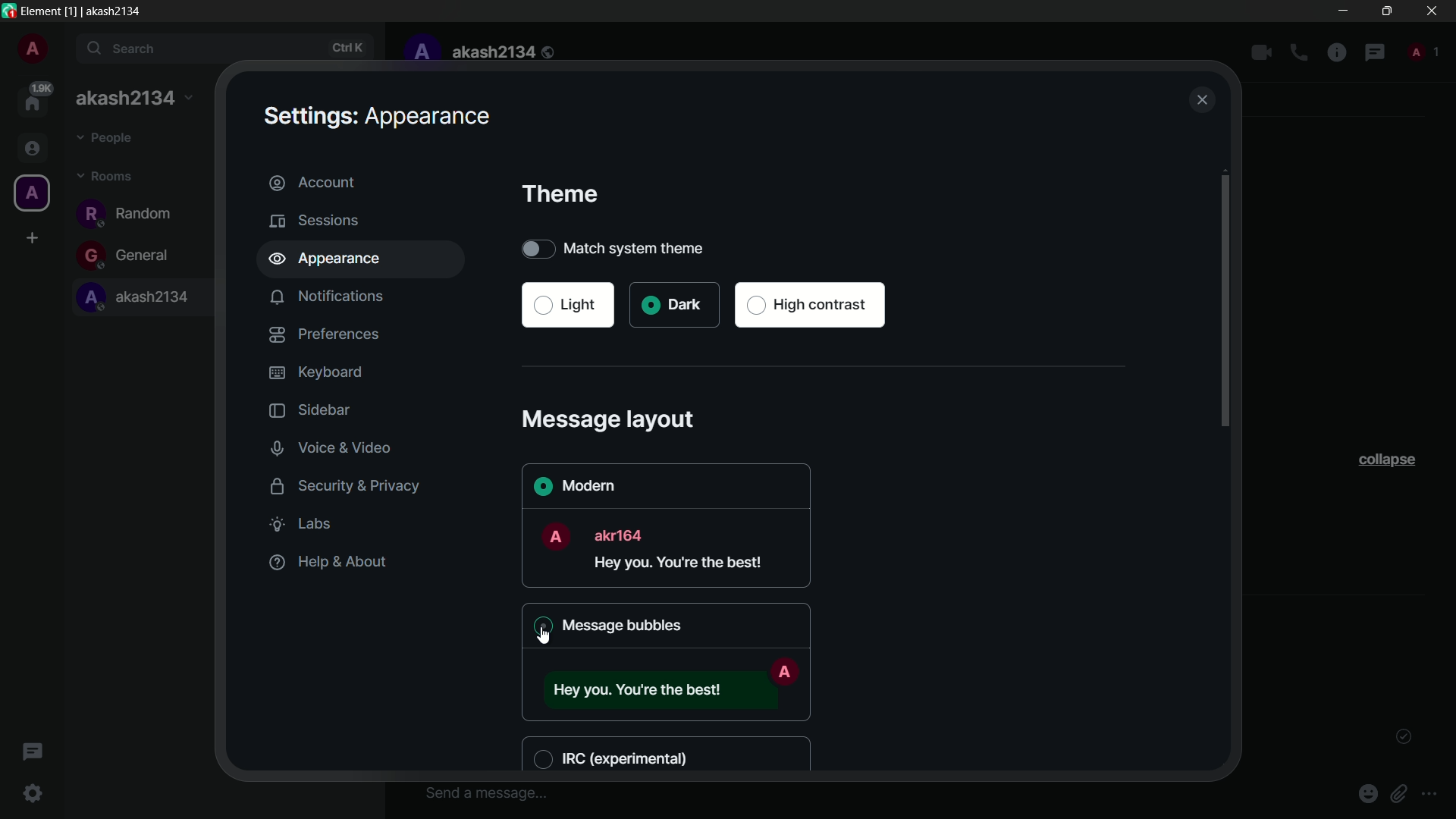 The height and width of the screenshot is (819, 1456). I want to click on search bar, so click(227, 49).